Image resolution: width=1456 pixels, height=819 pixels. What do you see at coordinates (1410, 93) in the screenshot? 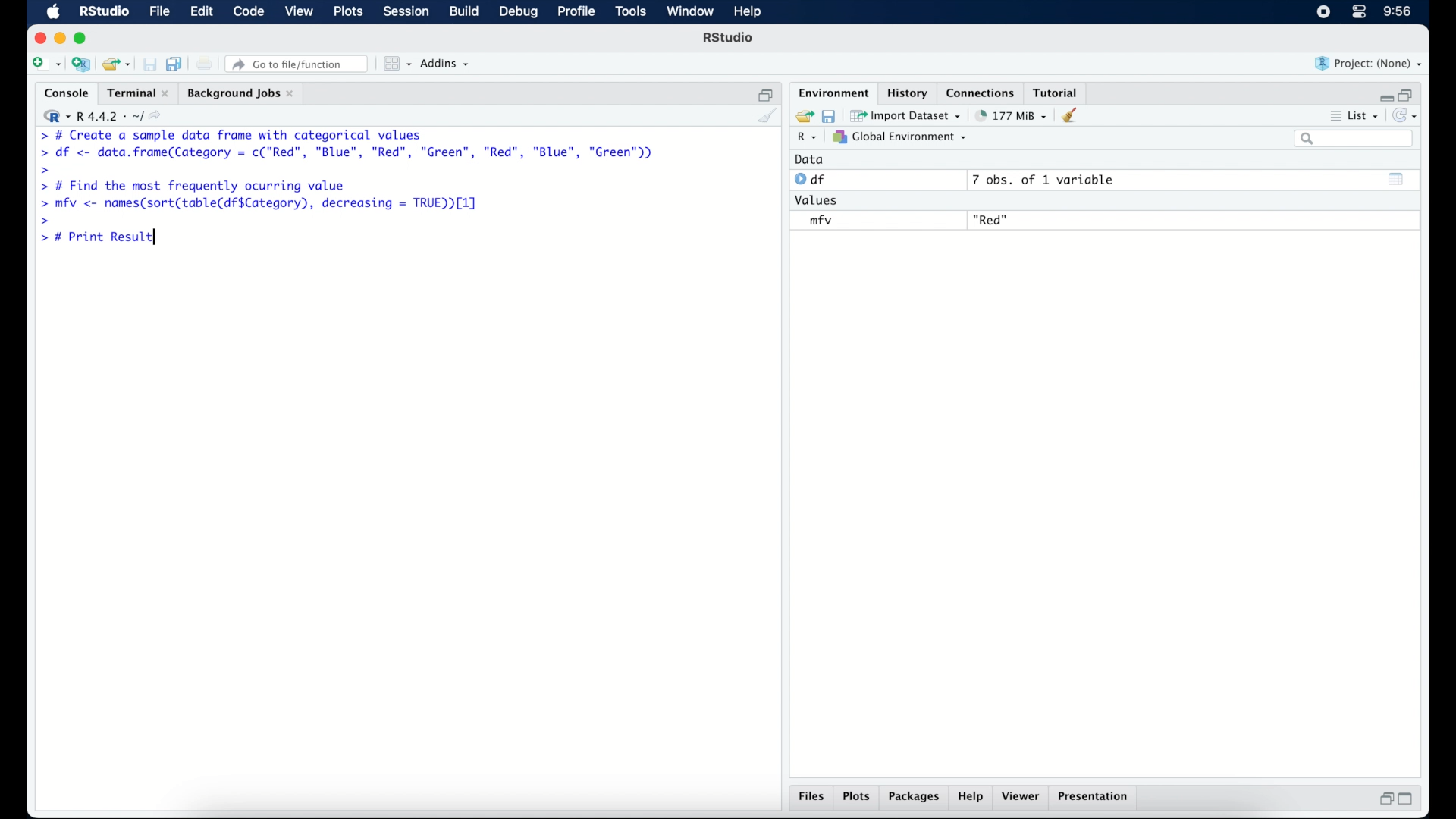
I see `restore down` at bounding box center [1410, 93].